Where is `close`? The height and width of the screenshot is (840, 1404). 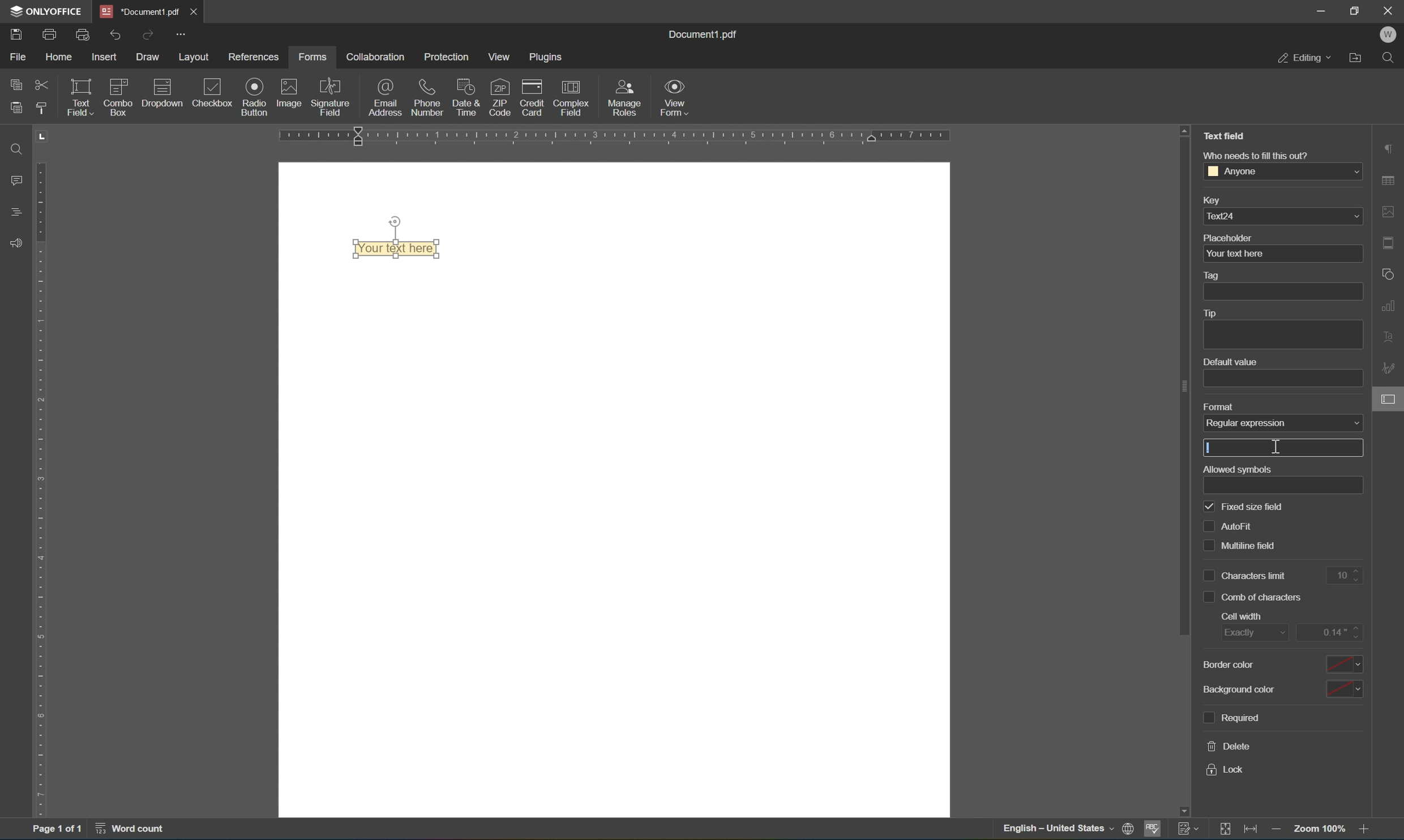
close is located at coordinates (192, 11).